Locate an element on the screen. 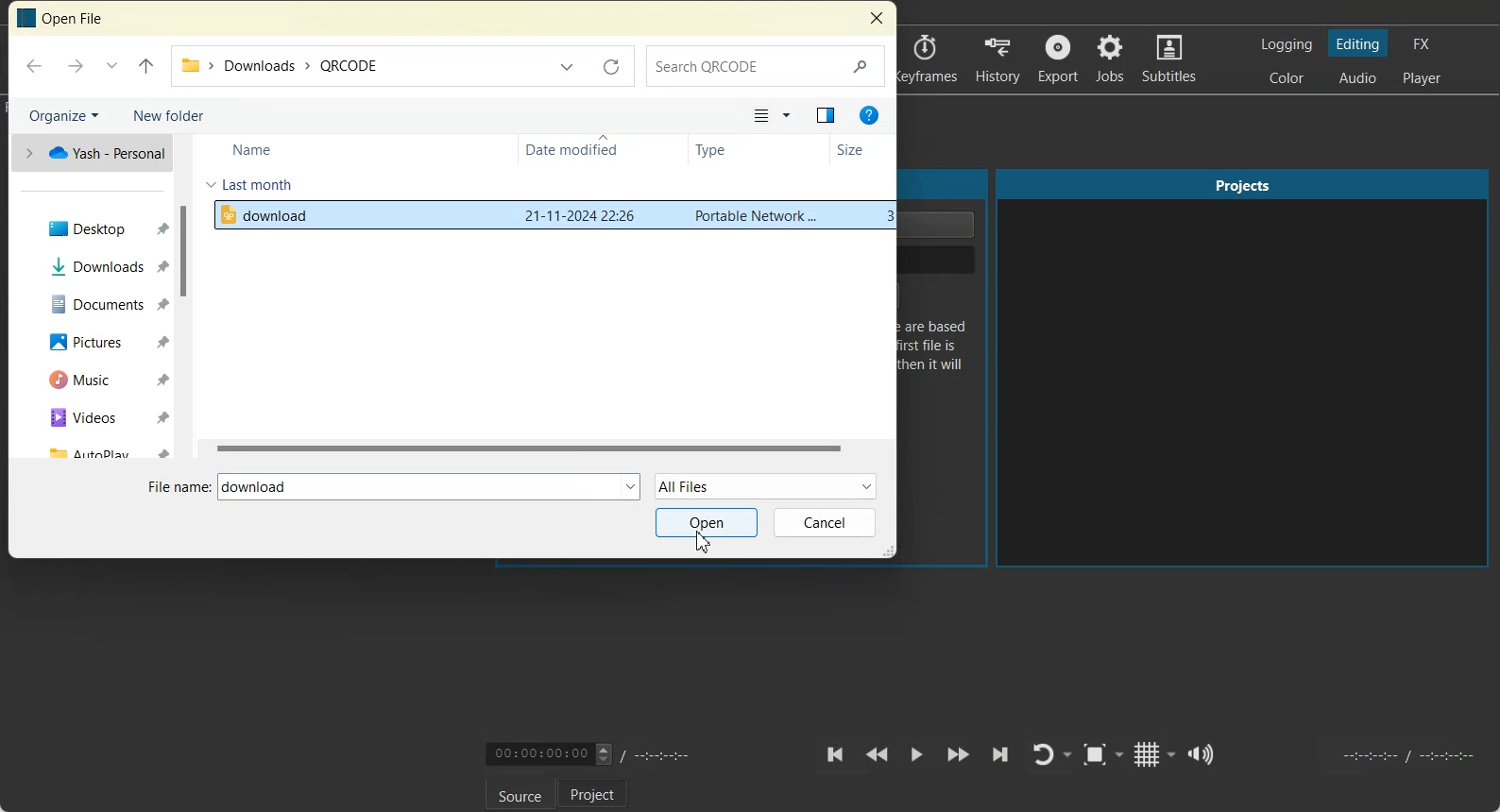 This screenshot has width=1500, height=812. Switch to the Player only layout is located at coordinates (1423, 79).